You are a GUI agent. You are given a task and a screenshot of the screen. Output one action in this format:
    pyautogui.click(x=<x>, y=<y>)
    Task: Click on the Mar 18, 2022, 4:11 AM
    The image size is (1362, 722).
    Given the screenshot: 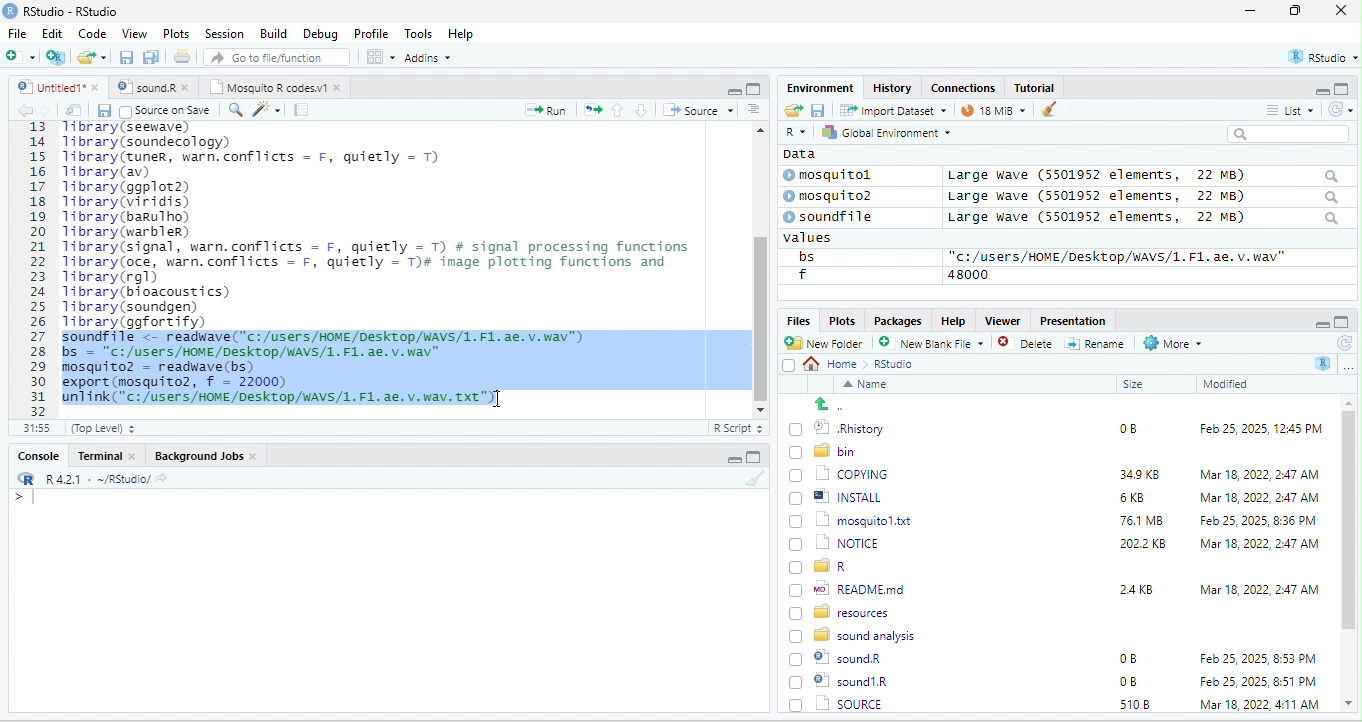 What is the action you would take?
    pyautogui.click(x=1258, y=681)
    